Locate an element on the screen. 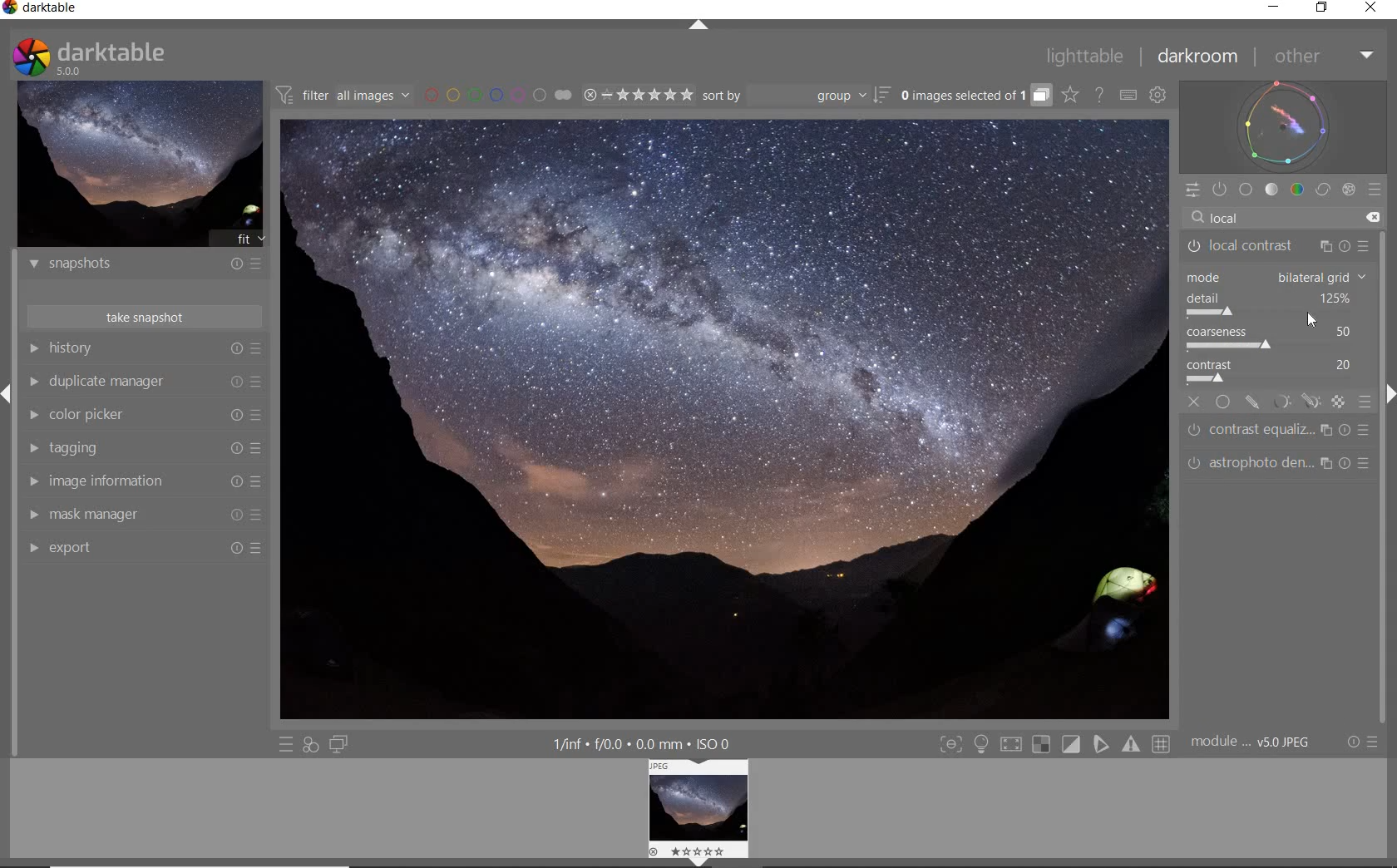  CORRECT is located at coordinates (1322, 190).